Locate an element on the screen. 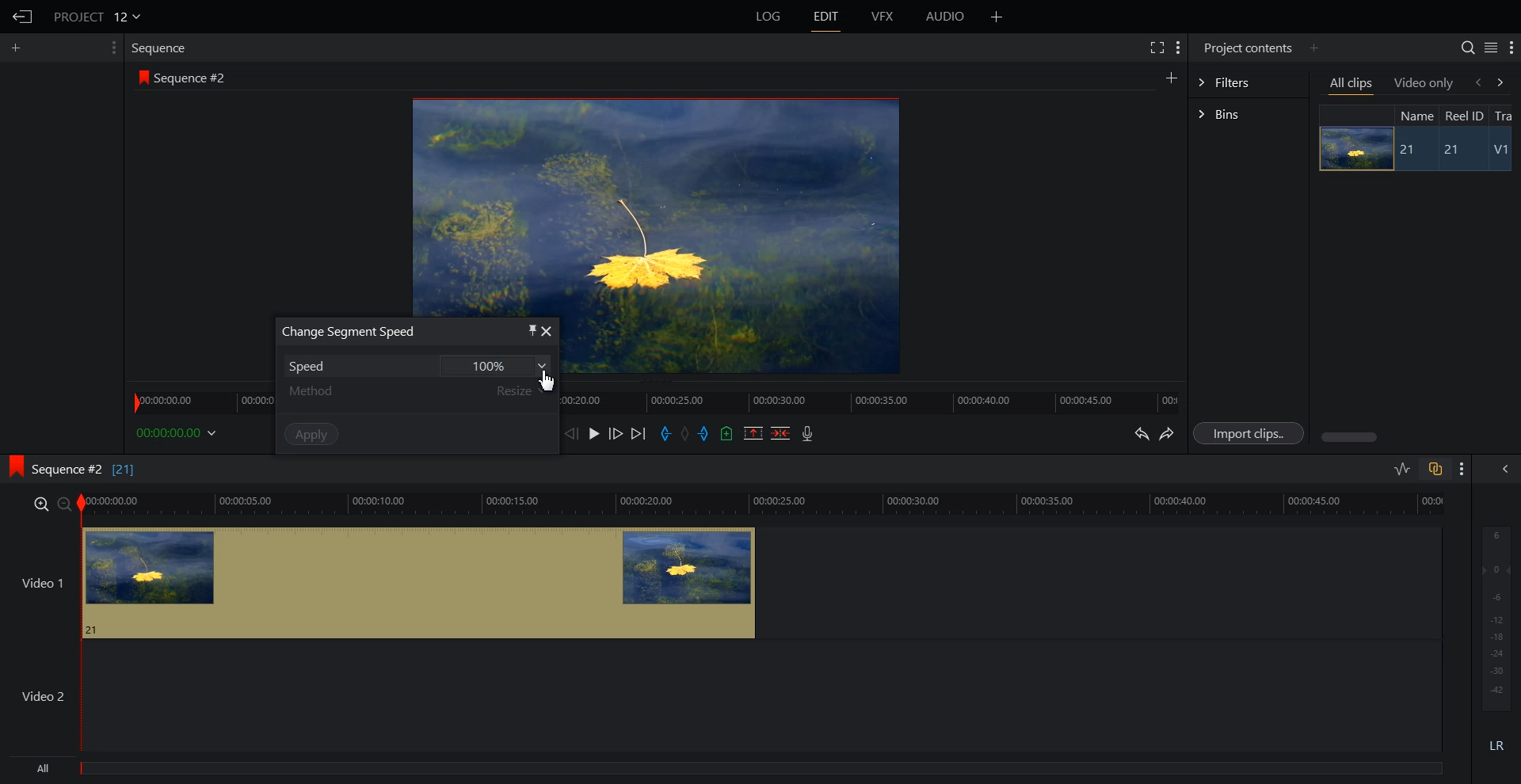 The height and width of the screenshot is (784, 1521). Toggle audio level editing is located at coordinates (1402, 468).